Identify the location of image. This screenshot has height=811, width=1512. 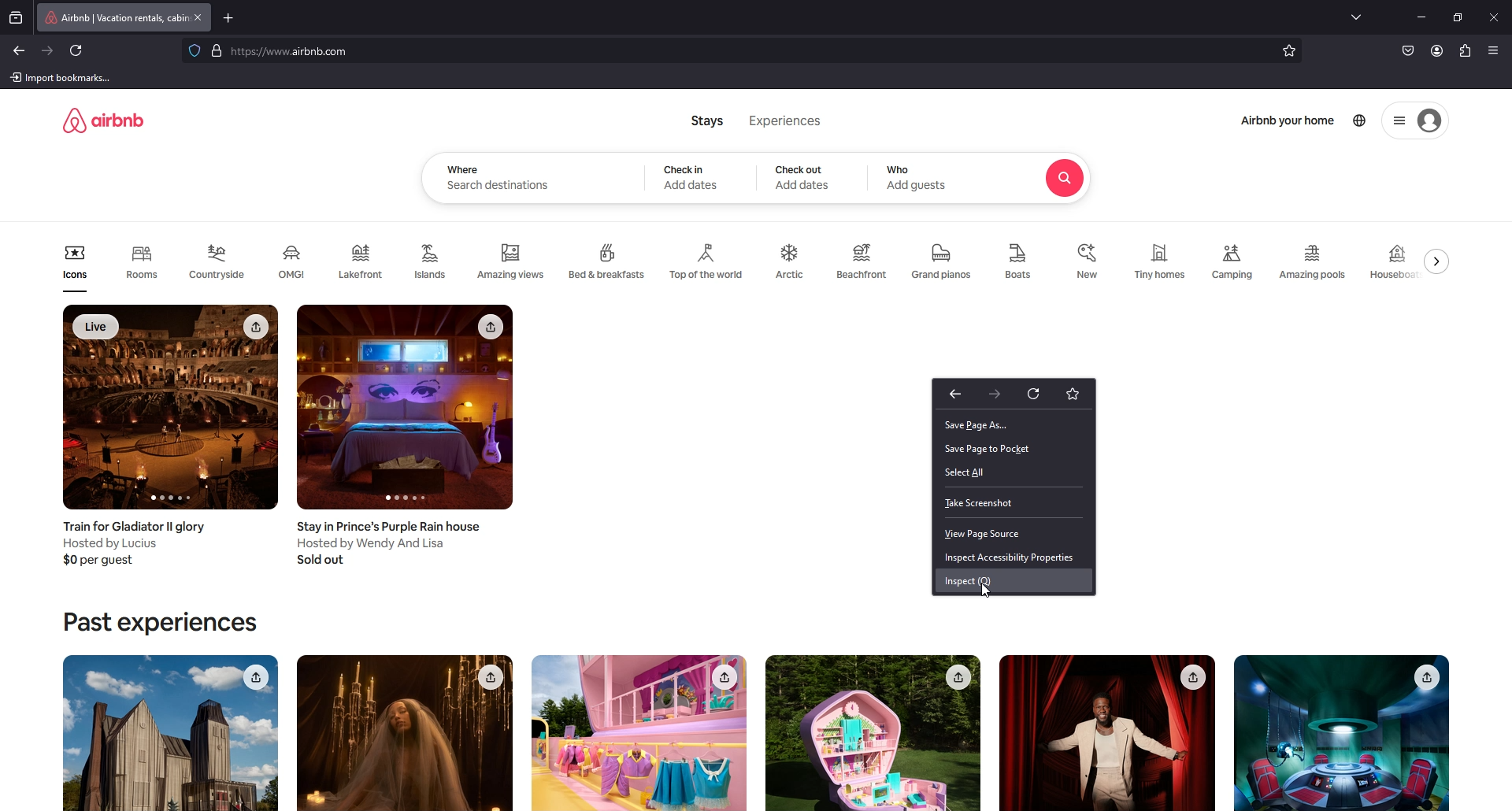
(406, 409).